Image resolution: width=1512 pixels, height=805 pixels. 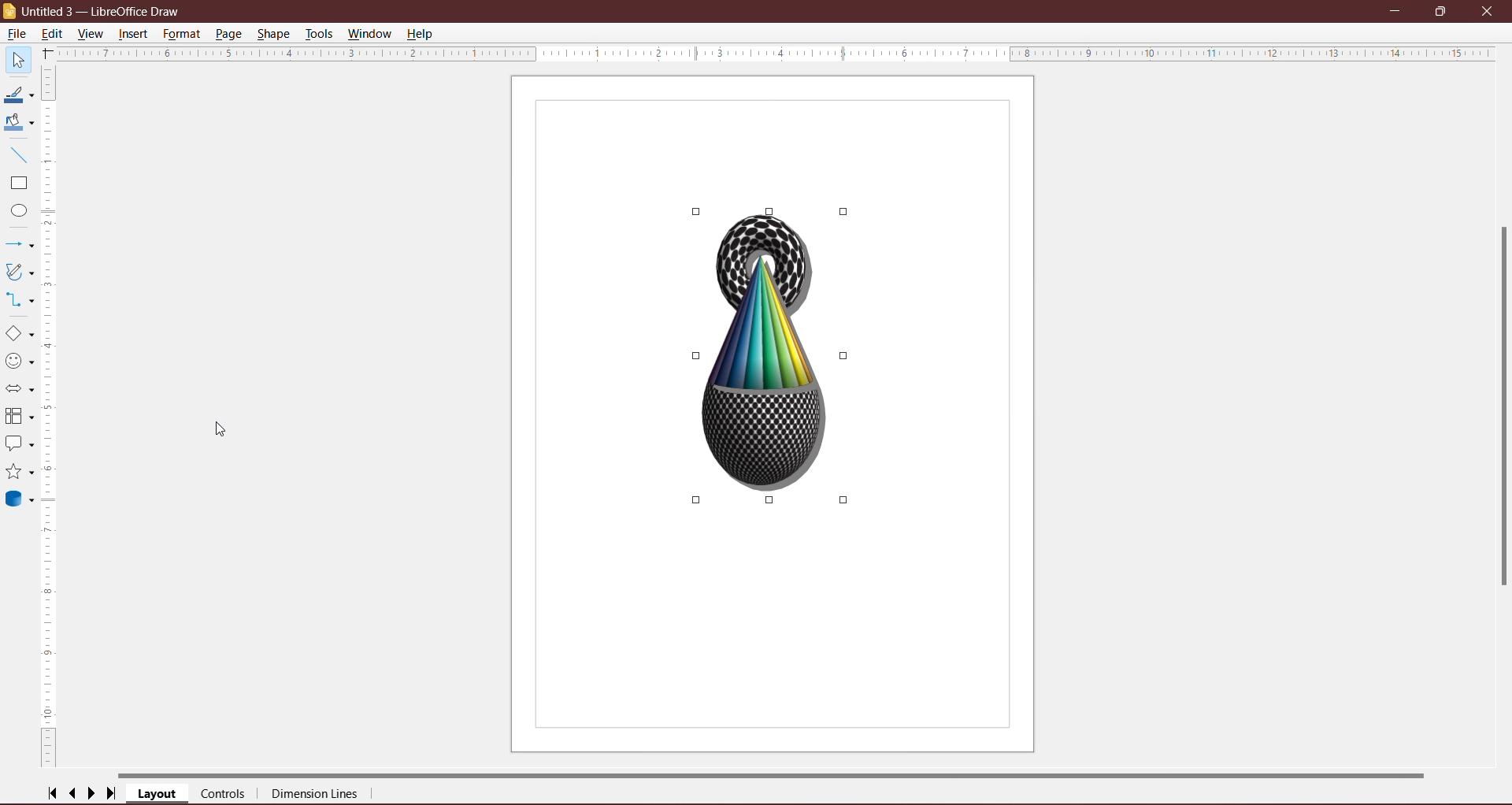 I want to click on Dimension Lines, so click(x=316, y=795).